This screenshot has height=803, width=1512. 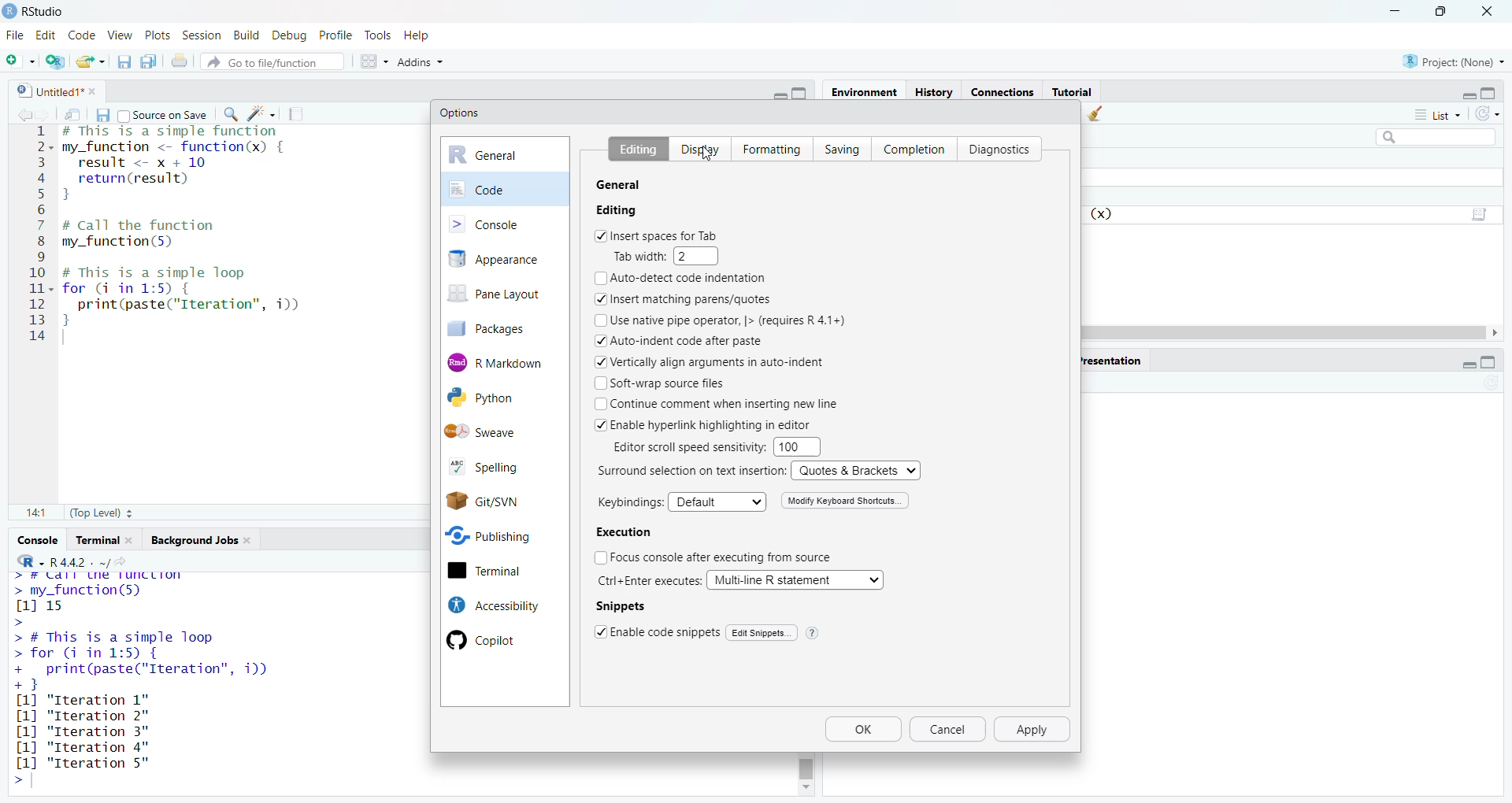 What do you see at coordinates (807, 766) in the screenshot?
I see `scrollbar` at bounding box center [807, 766].